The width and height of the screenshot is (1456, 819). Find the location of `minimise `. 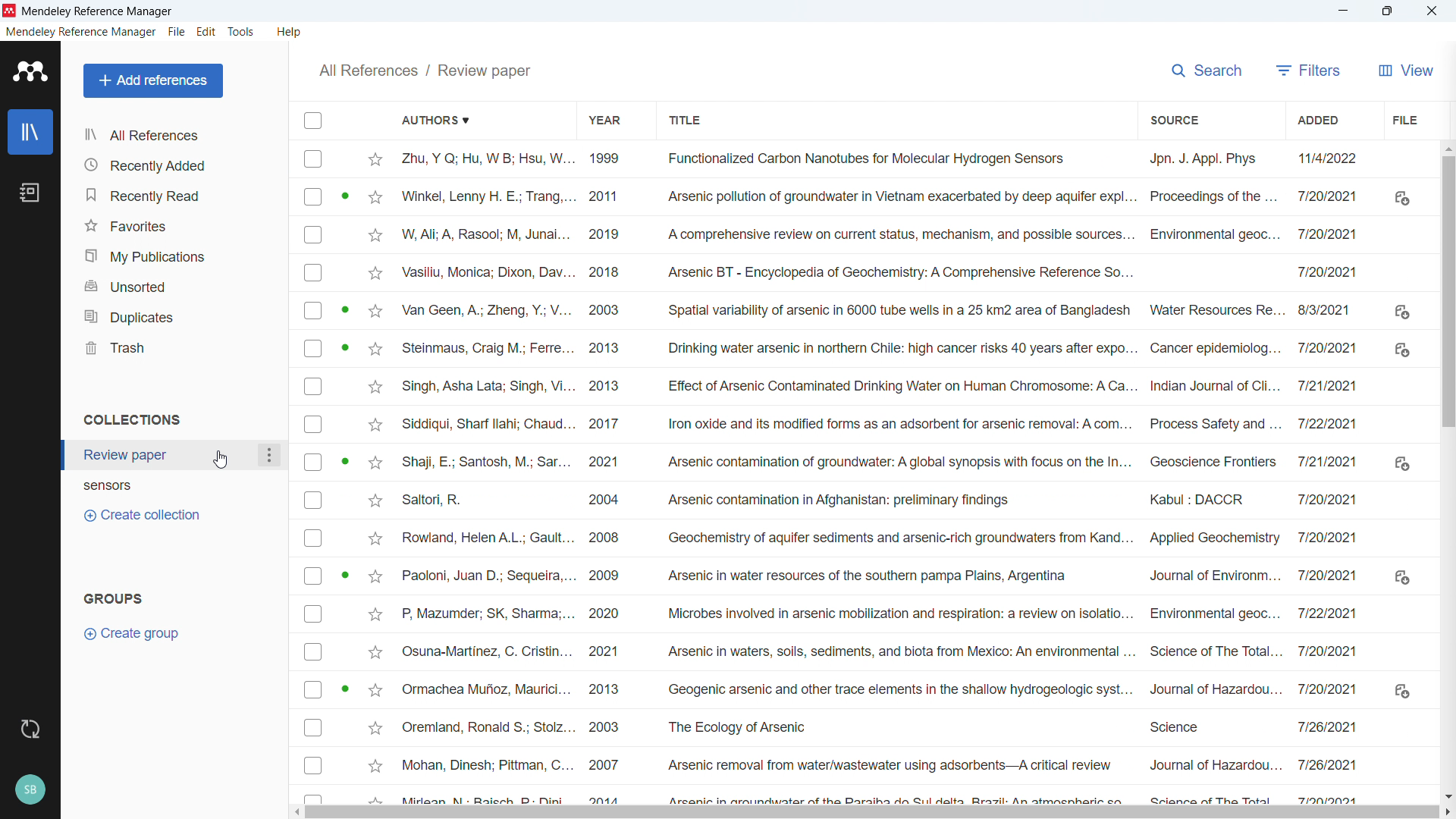

minimise  is located at coordinates (1340, 11).